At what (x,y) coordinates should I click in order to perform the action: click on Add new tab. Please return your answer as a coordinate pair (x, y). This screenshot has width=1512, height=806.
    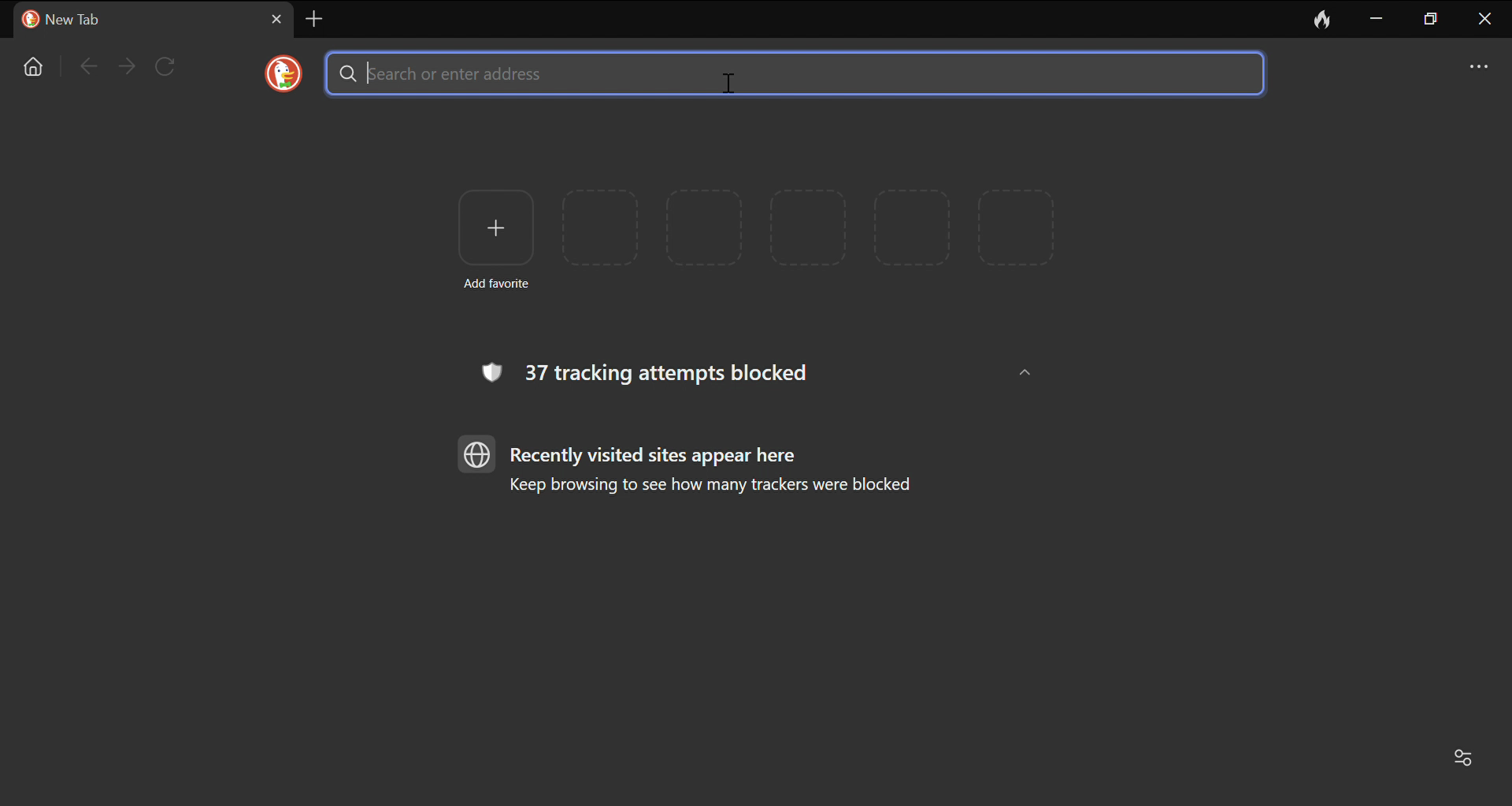
    Looking at the image, I should click on (314, 18).